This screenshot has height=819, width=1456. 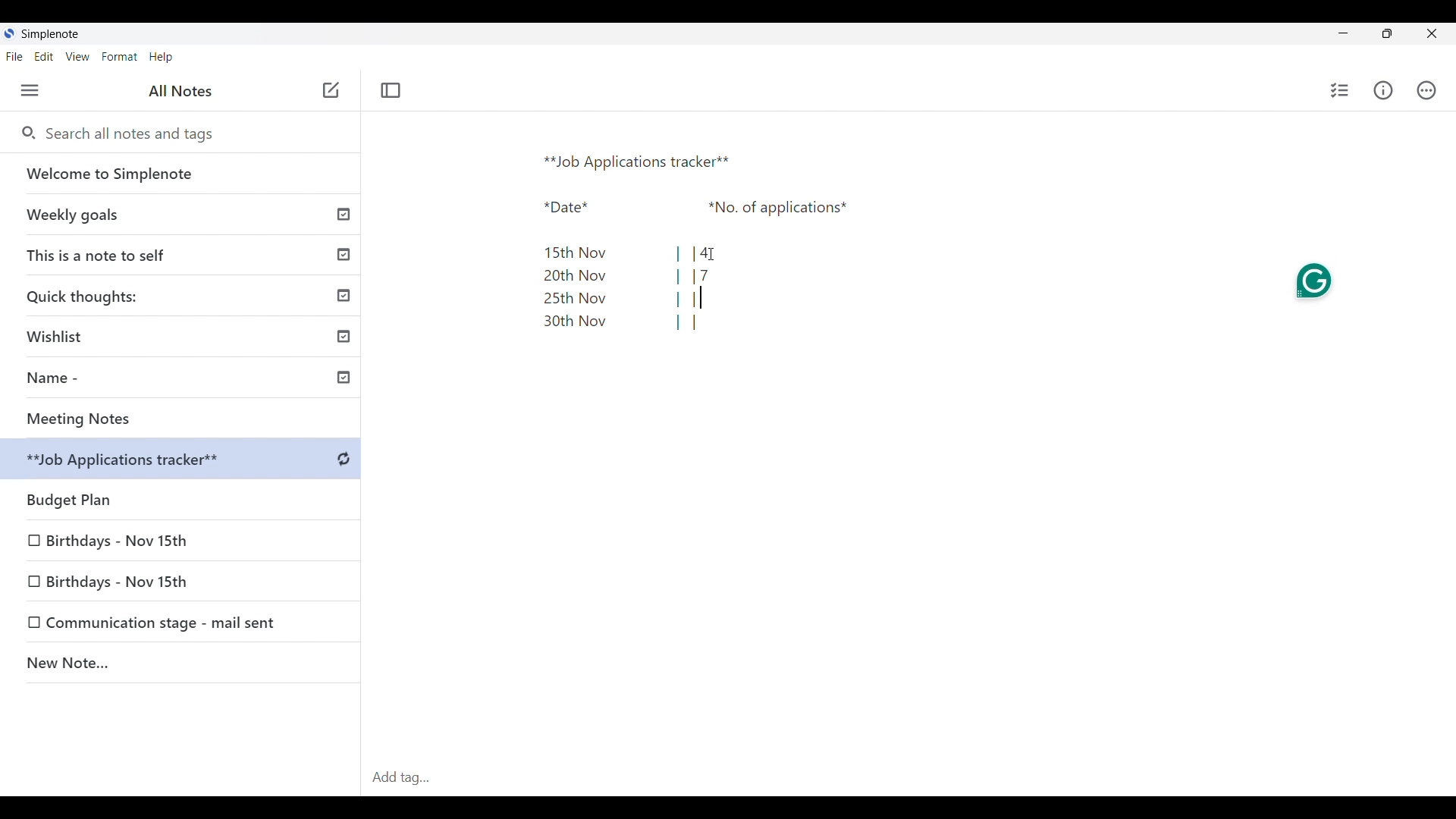 I want to click on Search all notes and tags, so click(x=135, y=133).